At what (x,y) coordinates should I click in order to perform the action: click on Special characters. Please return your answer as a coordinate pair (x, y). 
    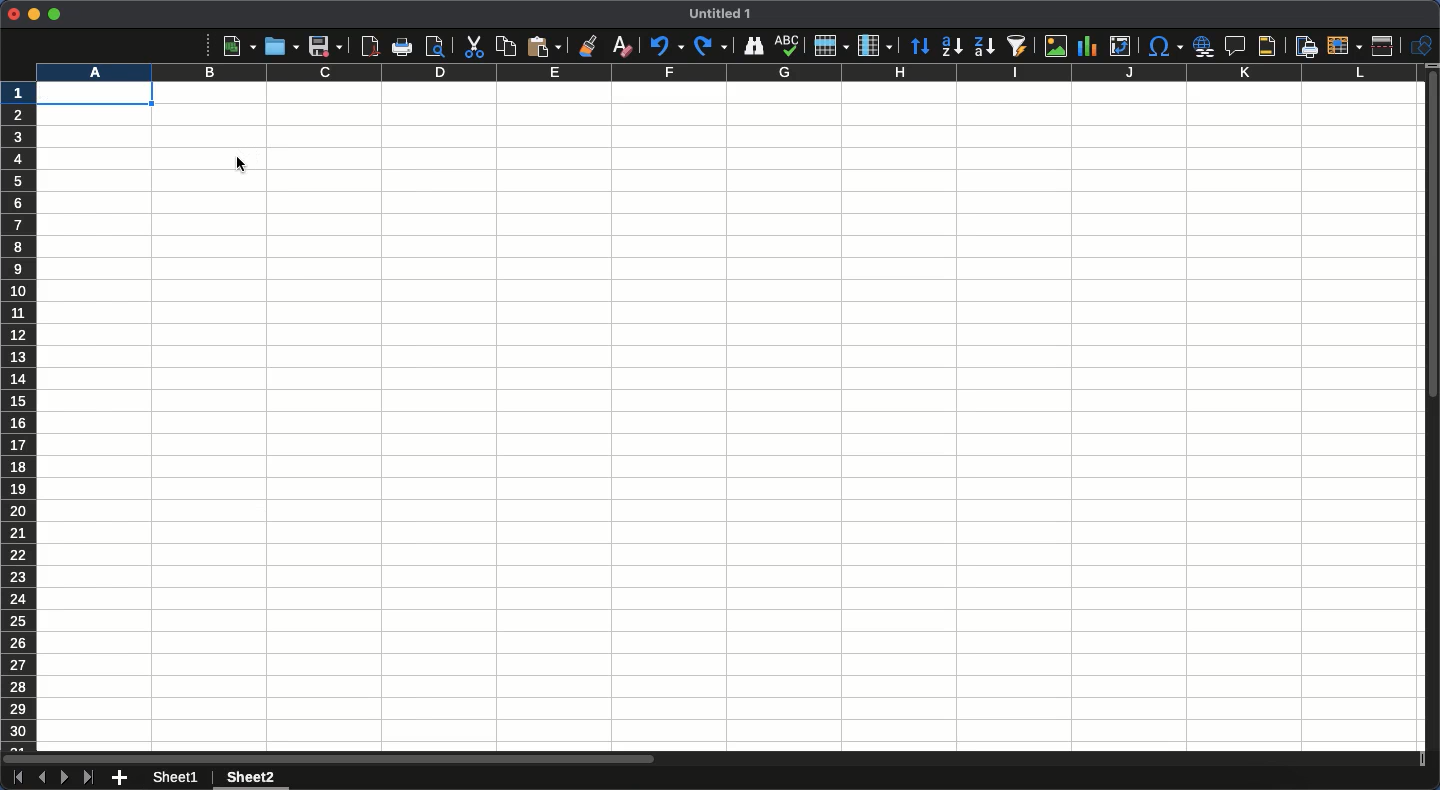
    Looking at the image, I should click on (1164, 46).